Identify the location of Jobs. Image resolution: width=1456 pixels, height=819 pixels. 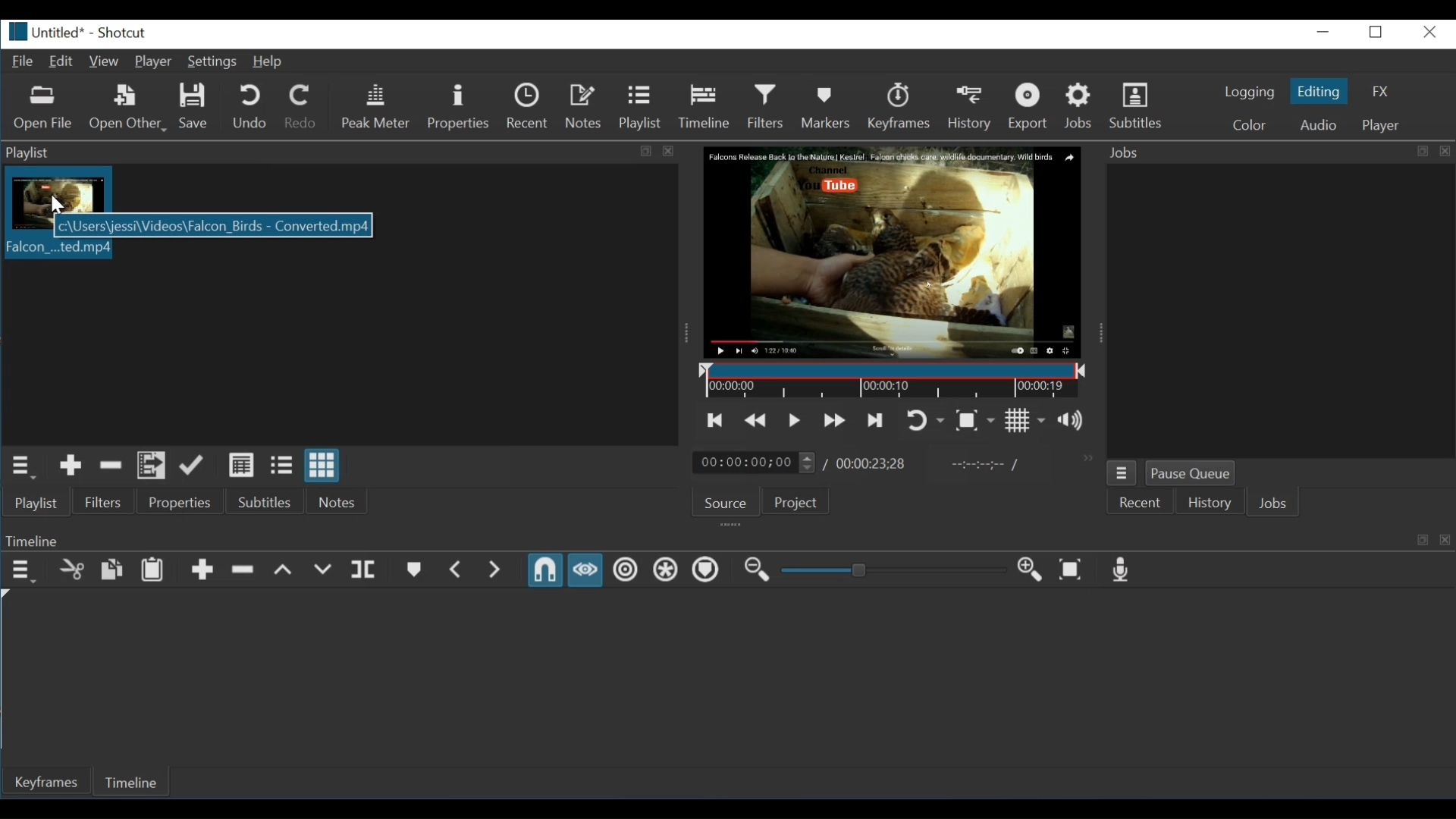
(1080, 106).